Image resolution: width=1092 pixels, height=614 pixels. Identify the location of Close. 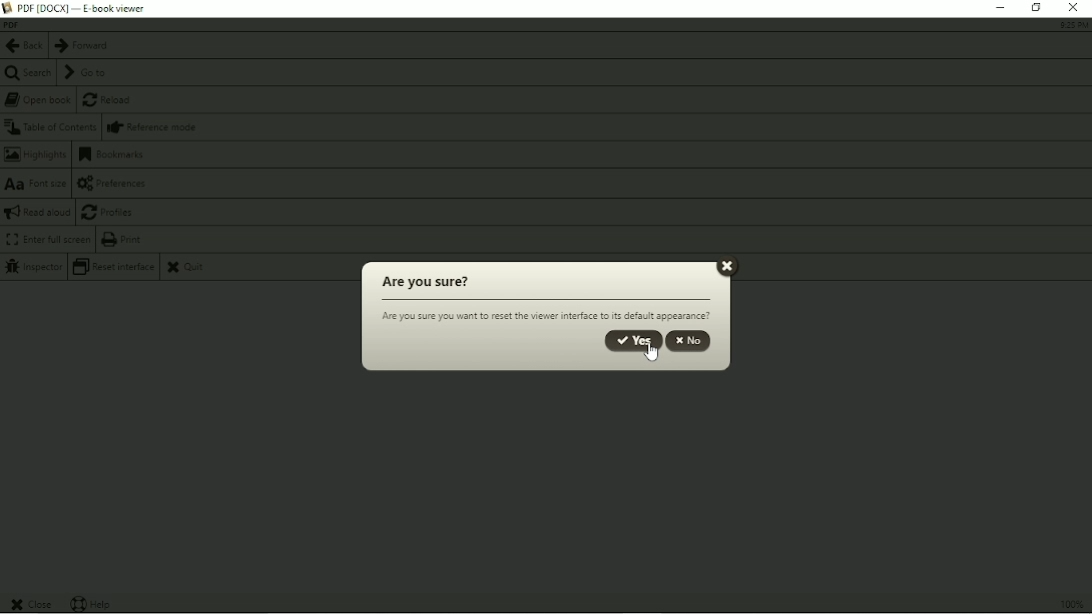
(33, 603).